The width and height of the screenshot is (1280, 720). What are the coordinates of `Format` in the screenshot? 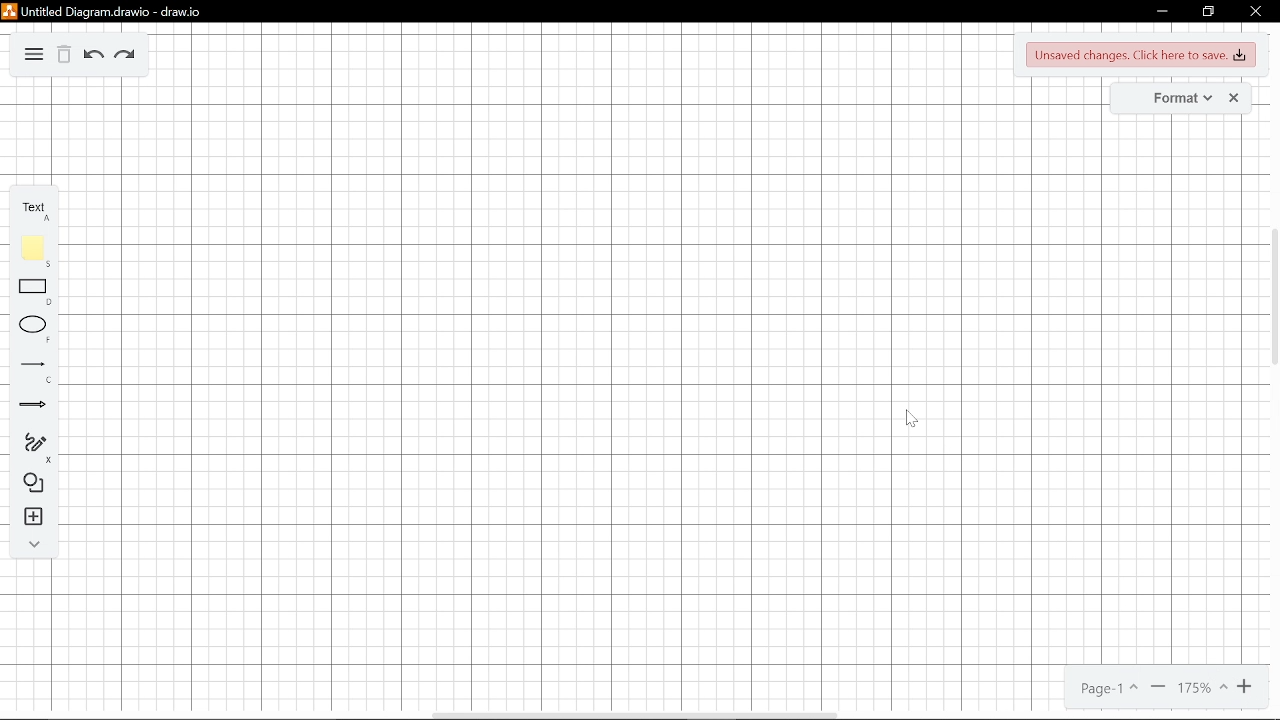 It's located at (1169, 97).